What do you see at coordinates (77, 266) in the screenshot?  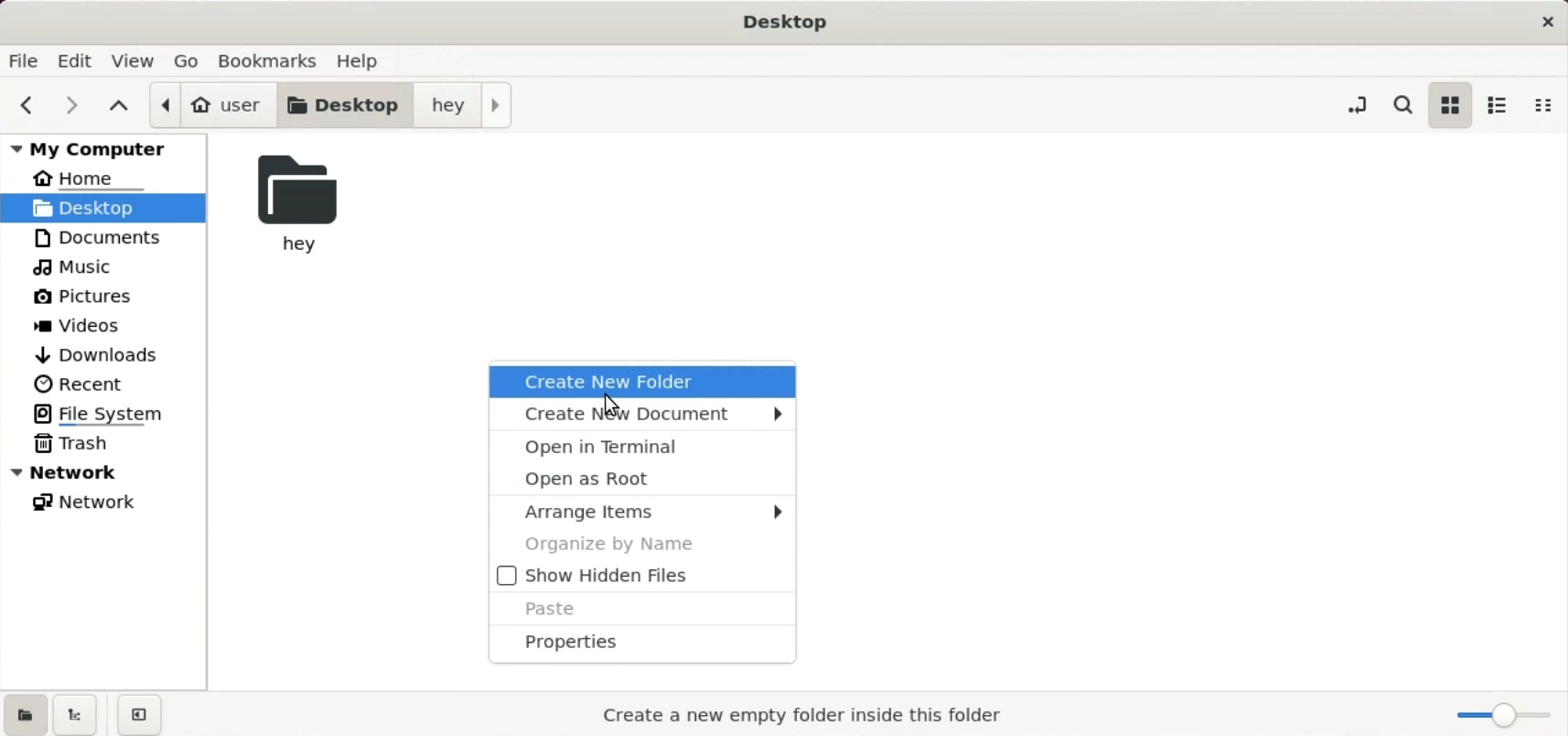 I see `music` at bounding box center [77, 266].